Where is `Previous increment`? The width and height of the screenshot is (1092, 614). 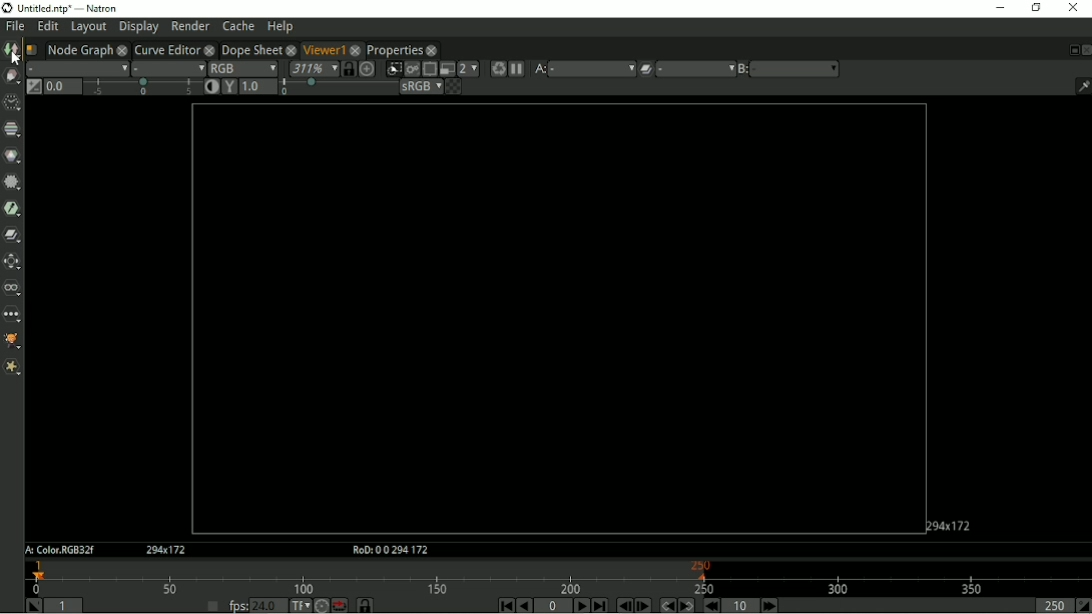 Previous increment is located at coordinates (713, 605).